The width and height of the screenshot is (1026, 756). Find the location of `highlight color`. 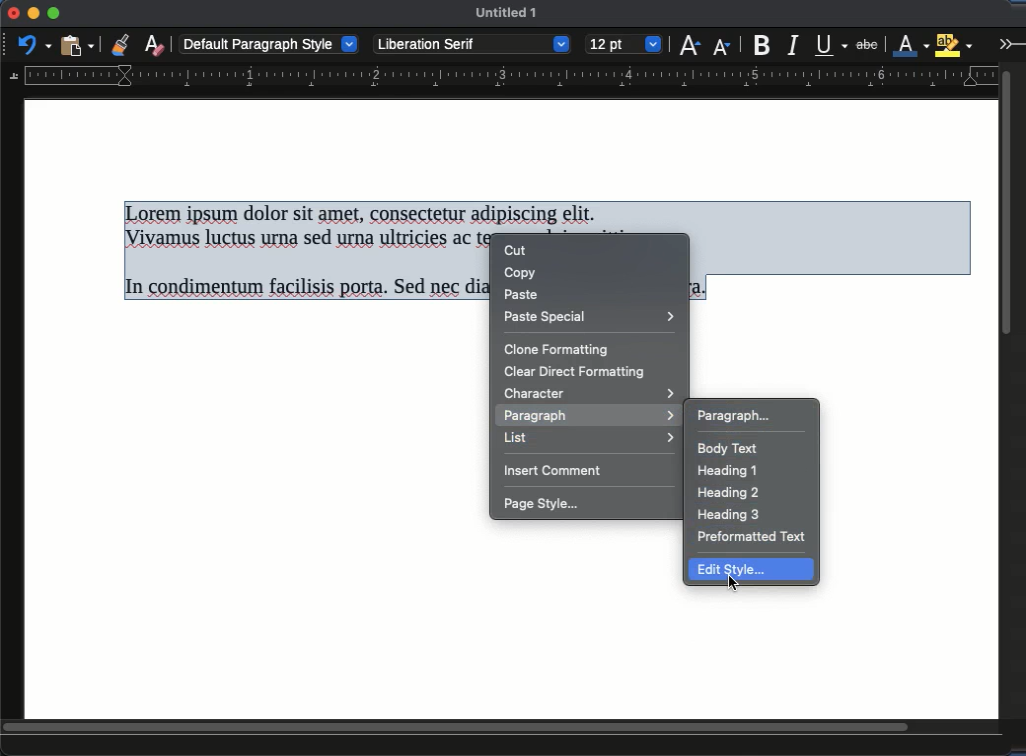

highlight color is located at coordinates (954, 43).